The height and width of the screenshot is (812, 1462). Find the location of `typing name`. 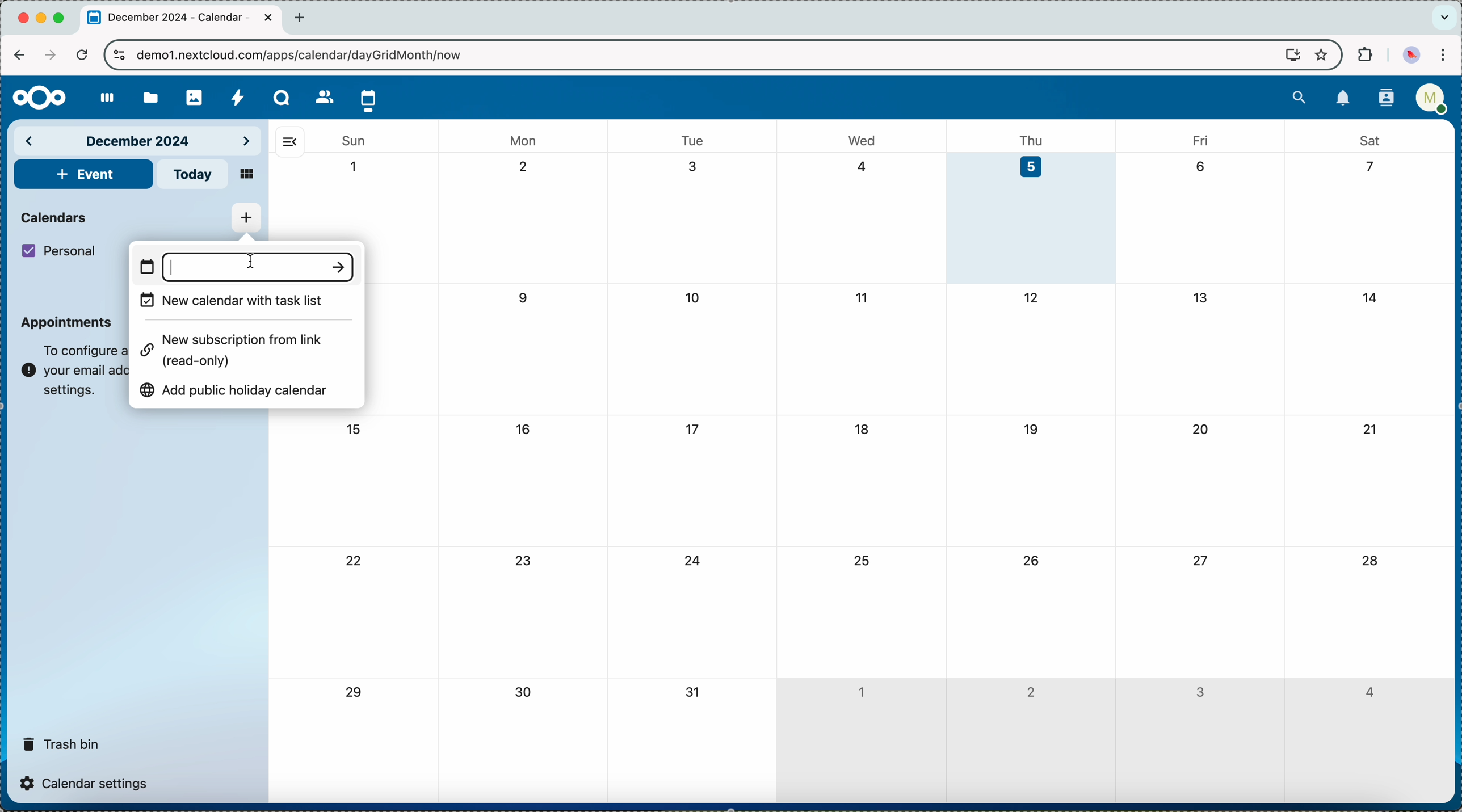

typing name is located at coordinates (250, 263).